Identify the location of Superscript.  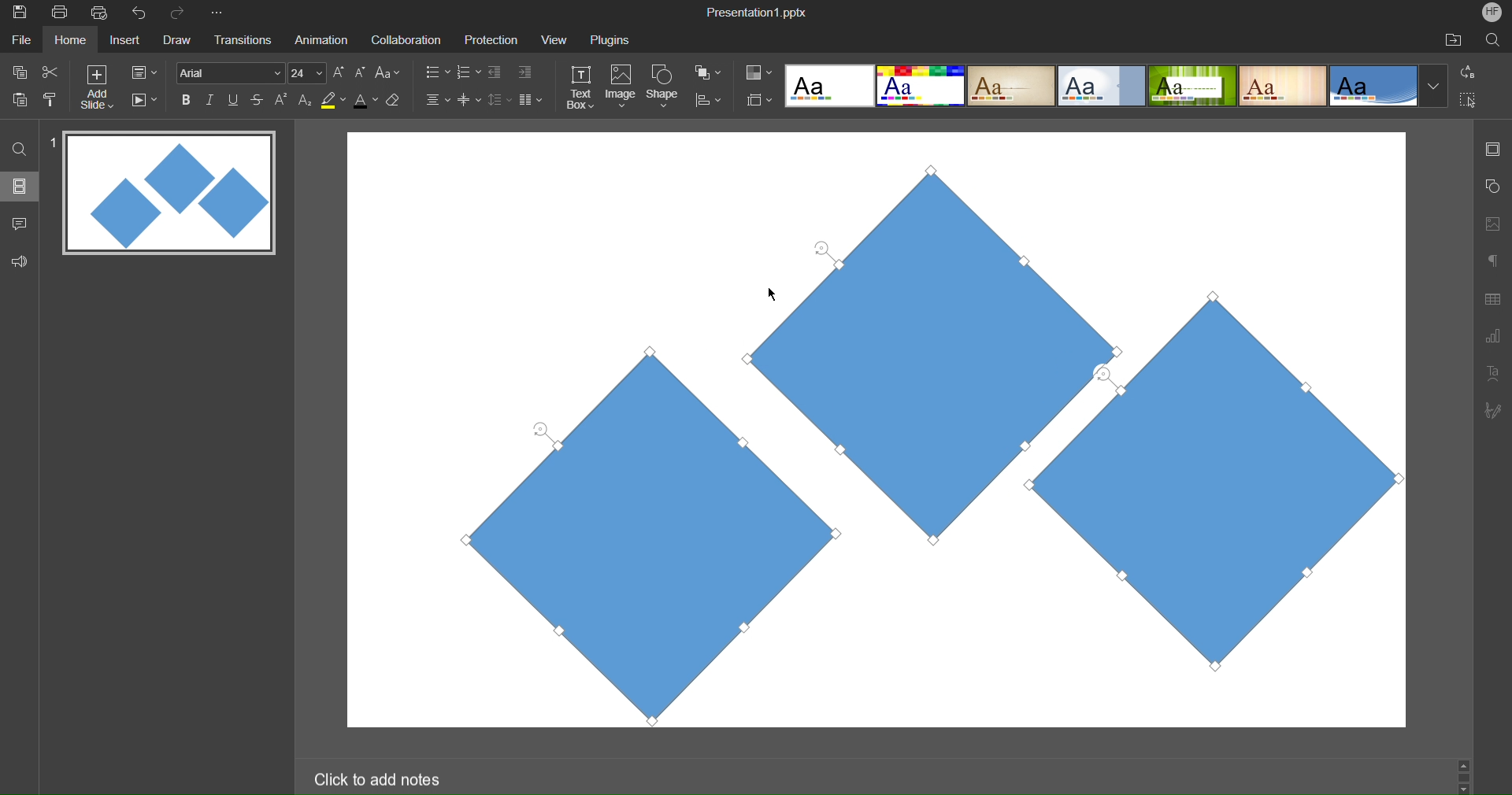
(283, 99).